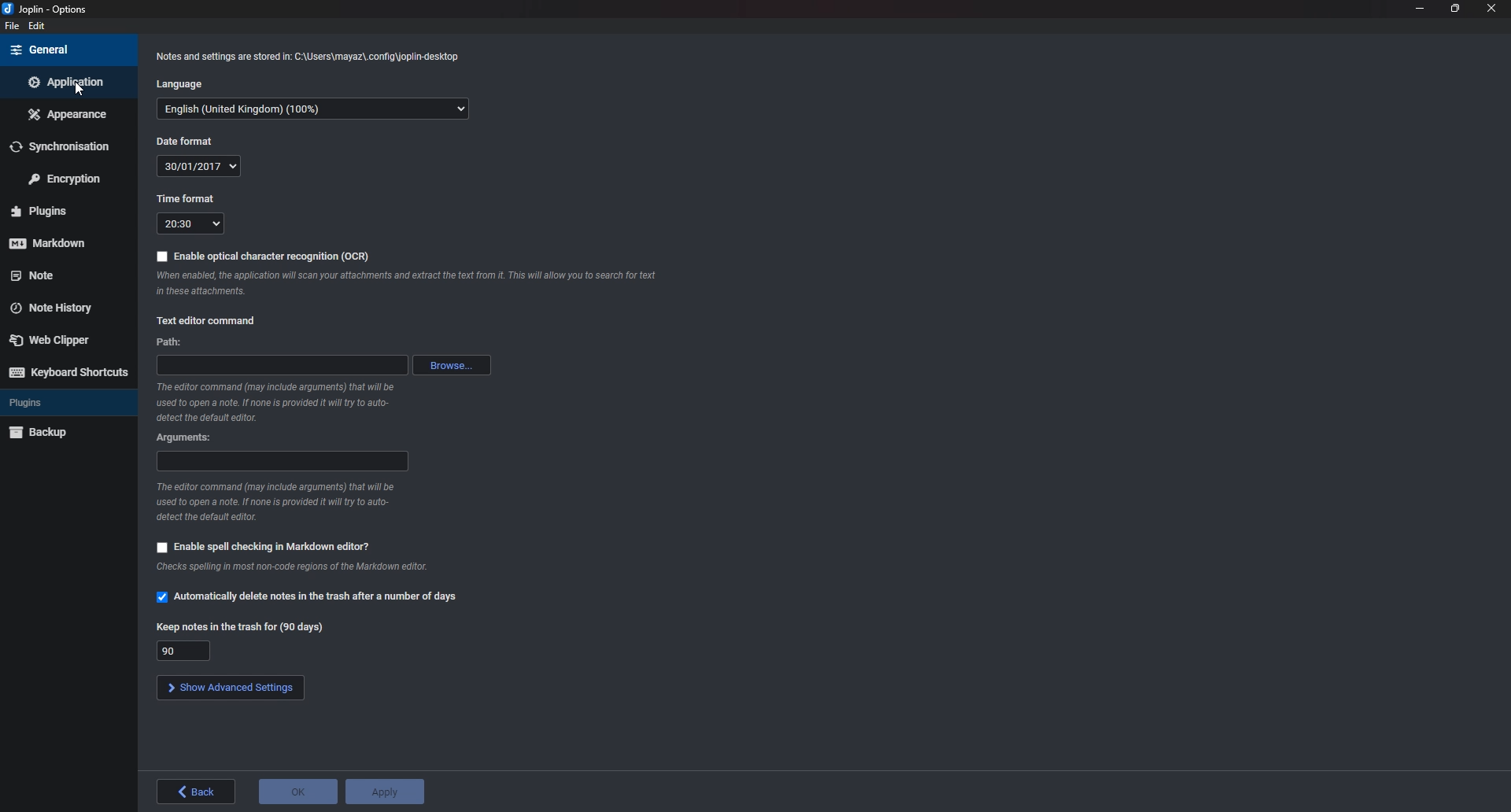 This screenshot has height=812, width=1511. Describe the element at coordinates (275, 402) in the screenshot. I see `info` at that location.